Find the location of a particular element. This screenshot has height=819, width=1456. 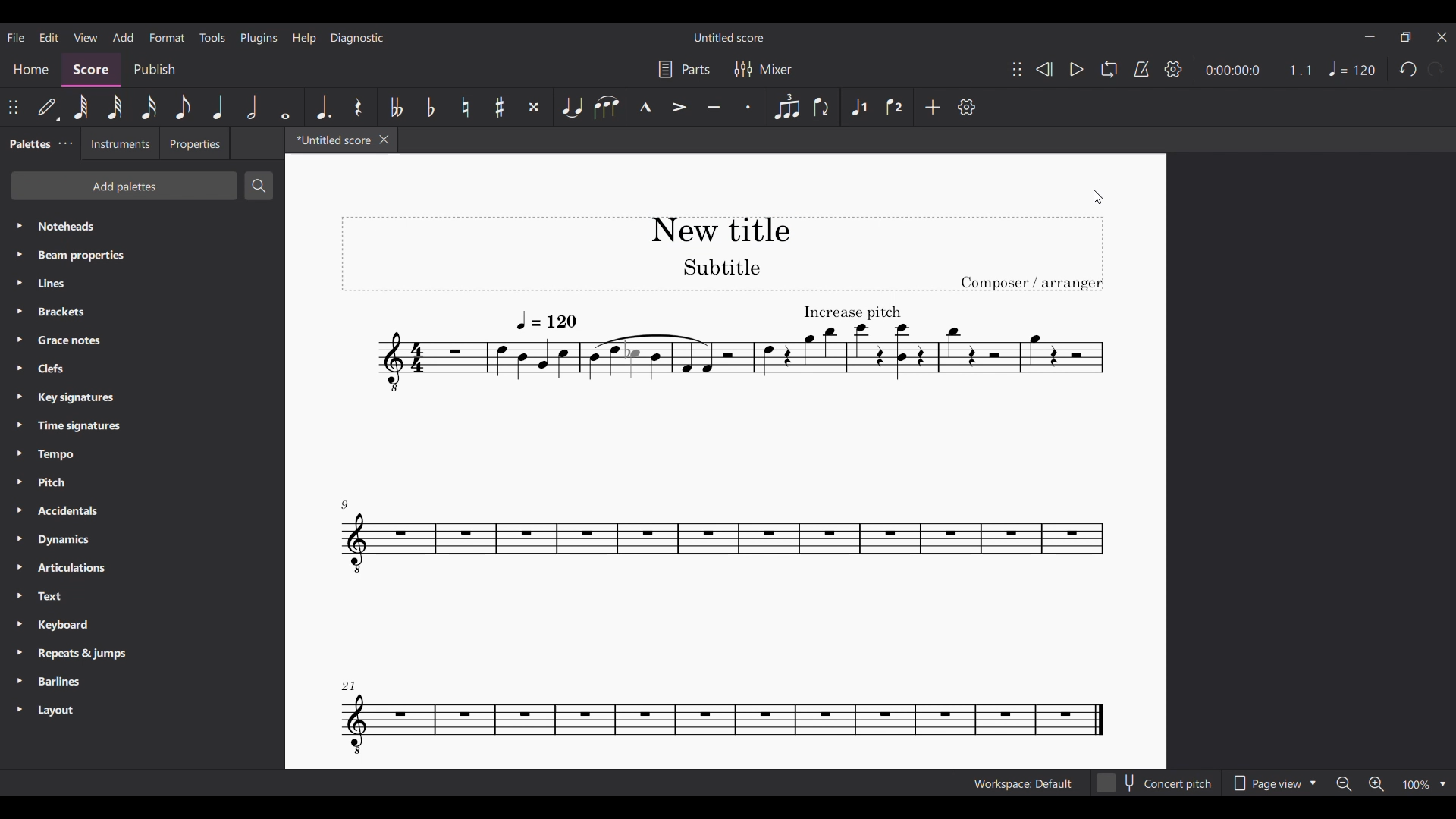

Staccato is located at coordinates (751, 107).